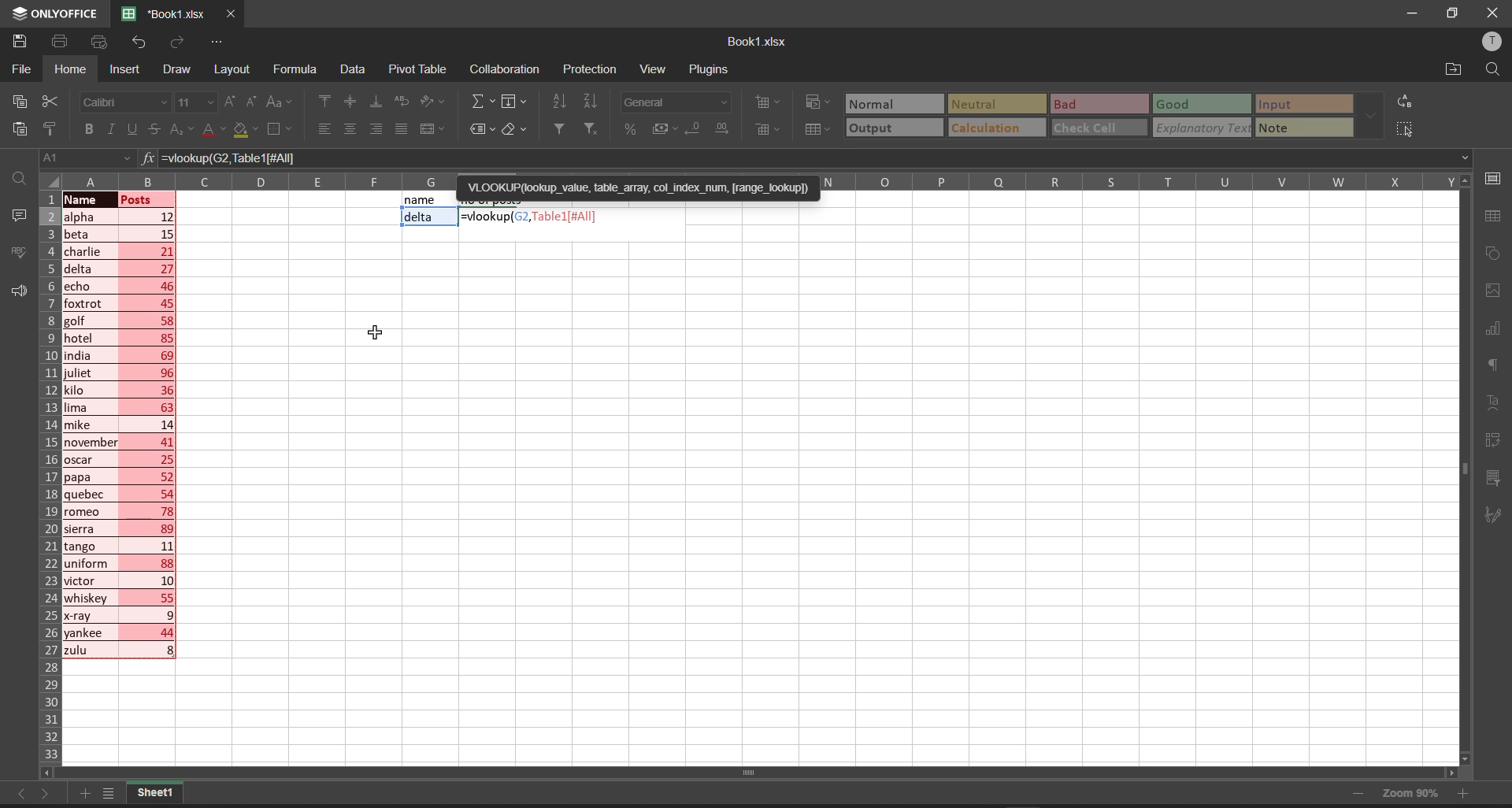 This screenshot has height=808, width=1512. I want to click on text settings, so click(1497, 402).